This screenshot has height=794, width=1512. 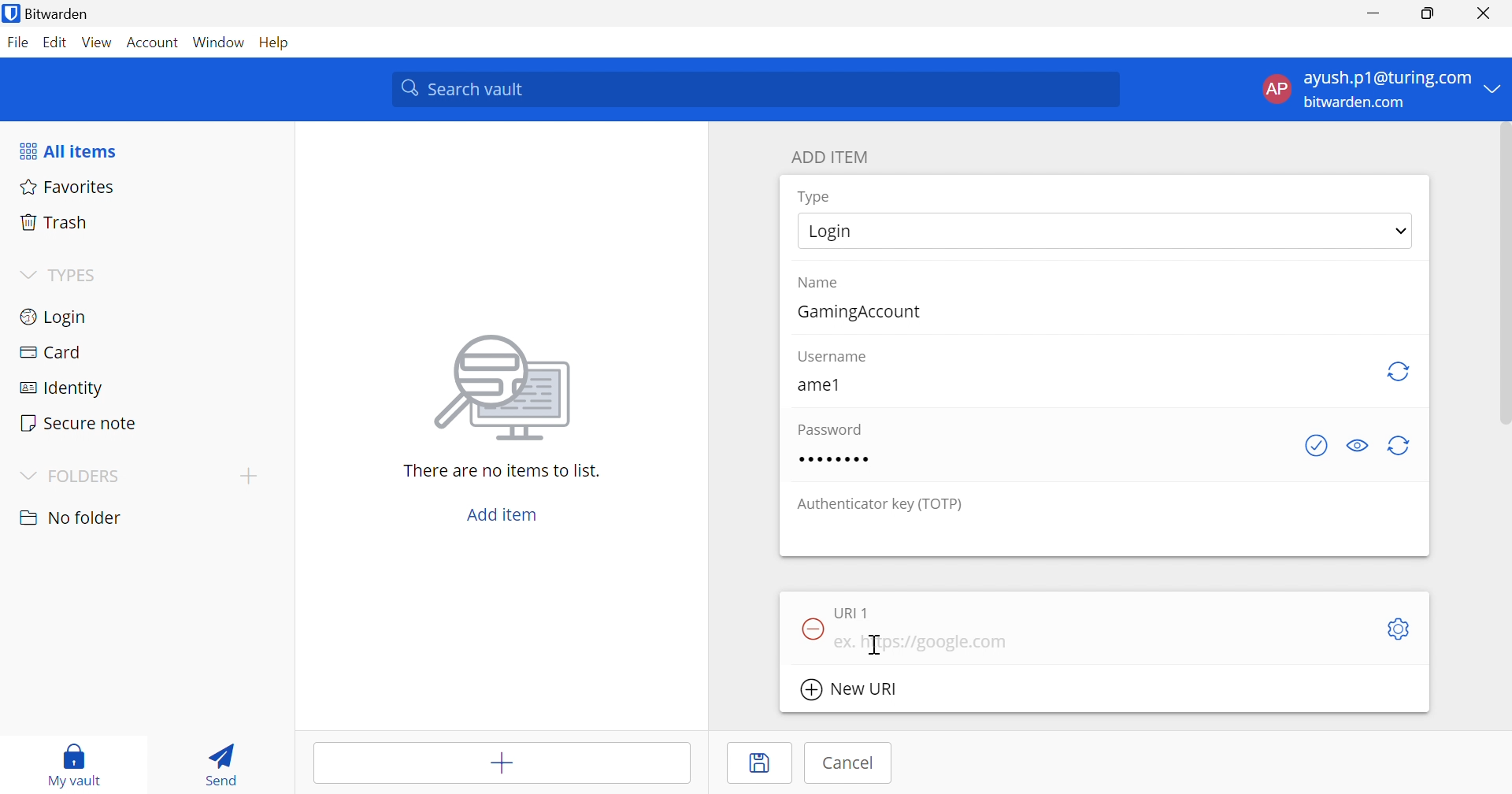 I want to click on Name, so click(x=821, y=284).